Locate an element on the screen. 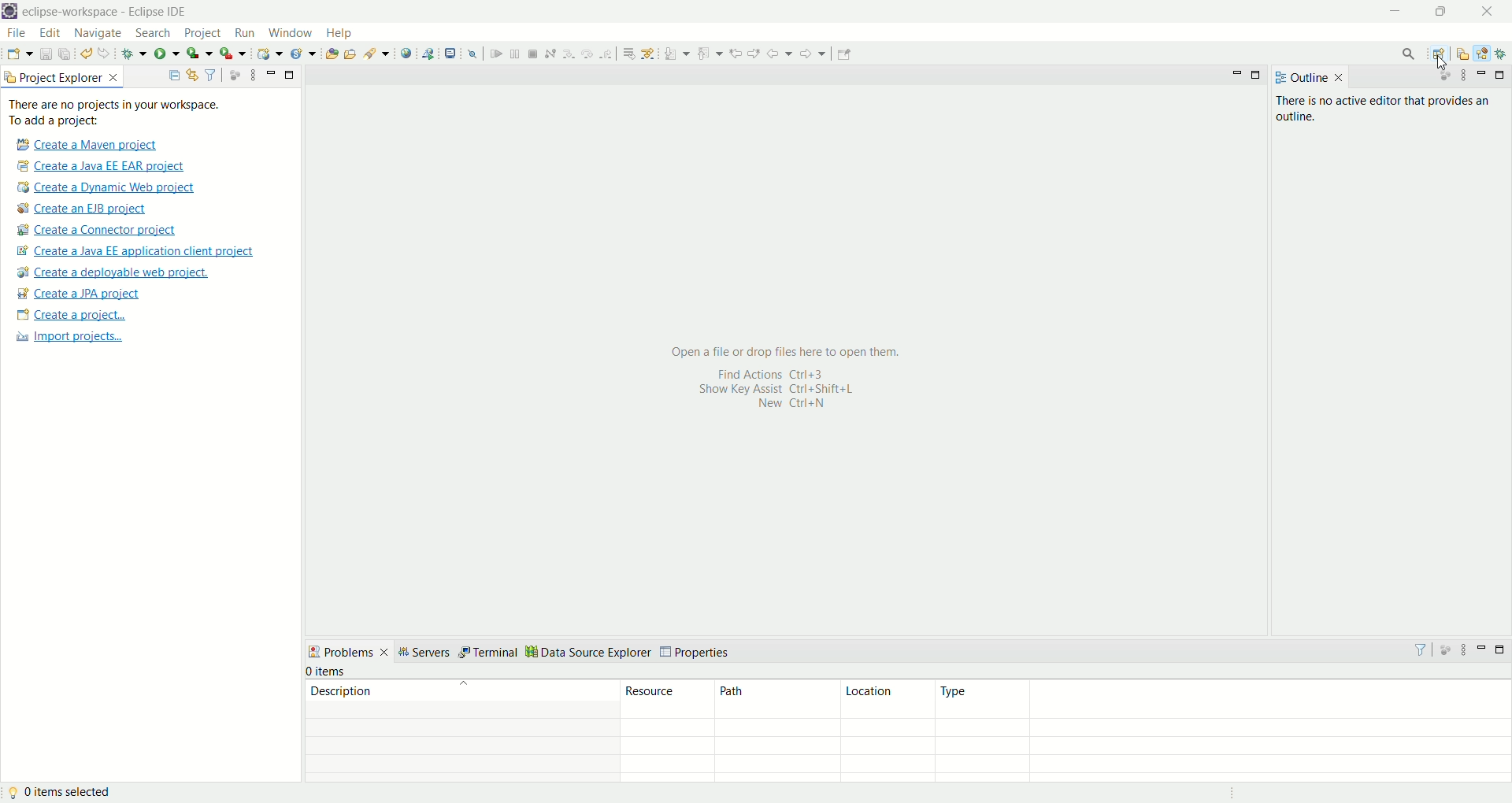 This screenshot has width=1512, height=803. java EE is located at coordinates (1484, 52).